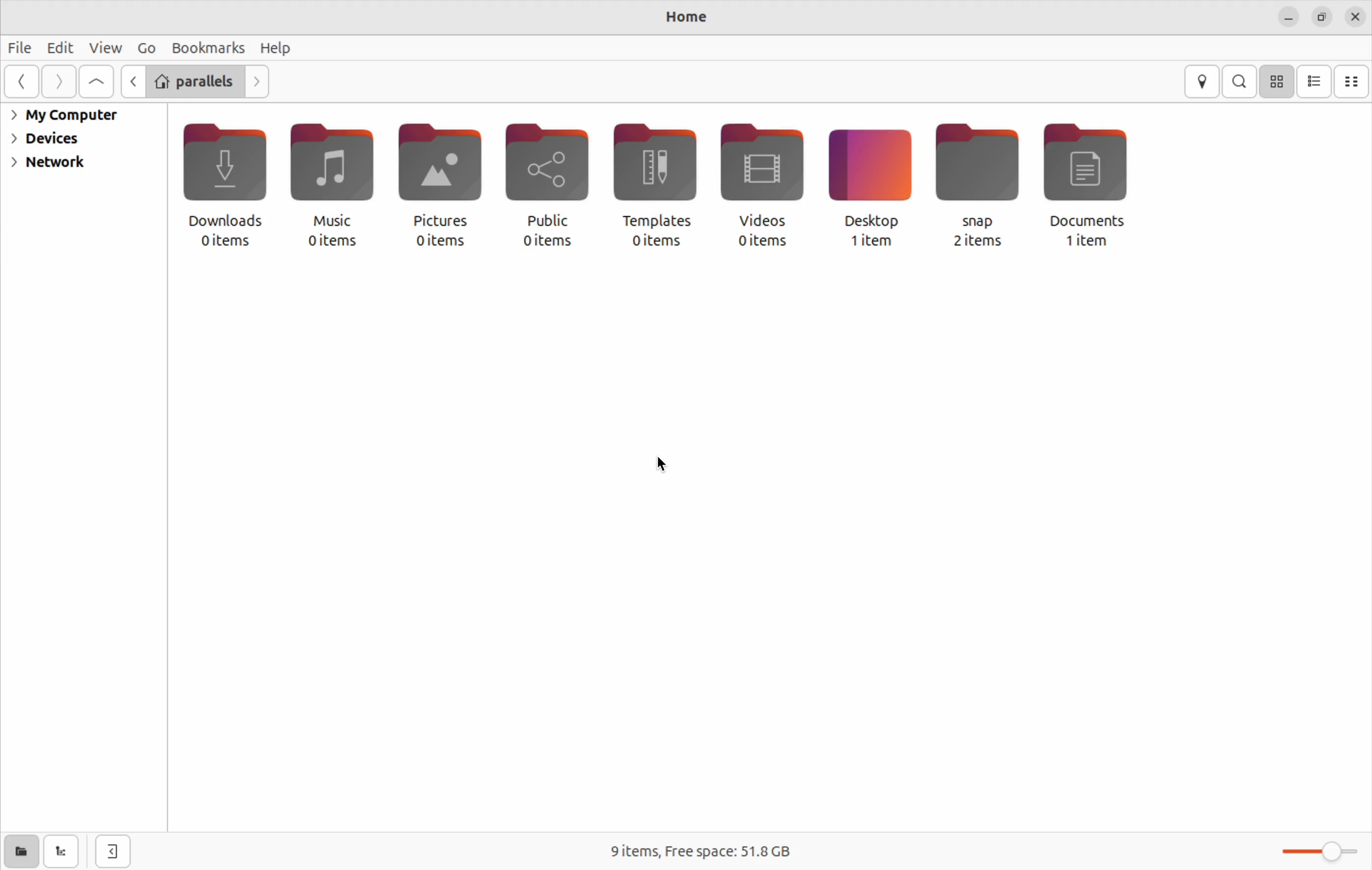 The width and height of the screenshot is (1372, 870). I want to click on 9 items free space 51.8 Gb, so click(697, 851).